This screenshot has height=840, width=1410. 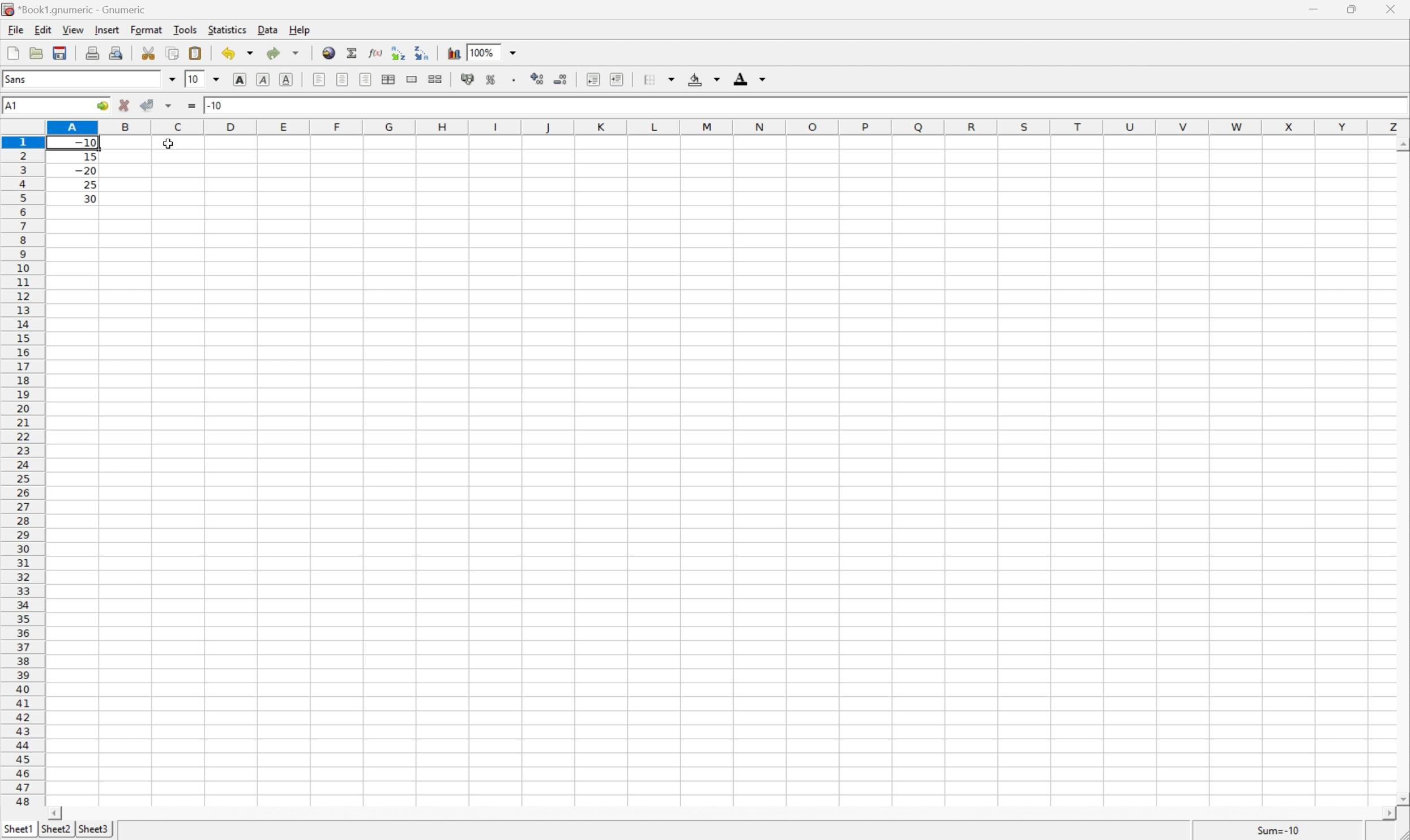 What do you see at coordinates (518, 82) in the screenshot?
I see `Set the format of the selected cells to include a thousands separator` at bounding box center [518, 82].